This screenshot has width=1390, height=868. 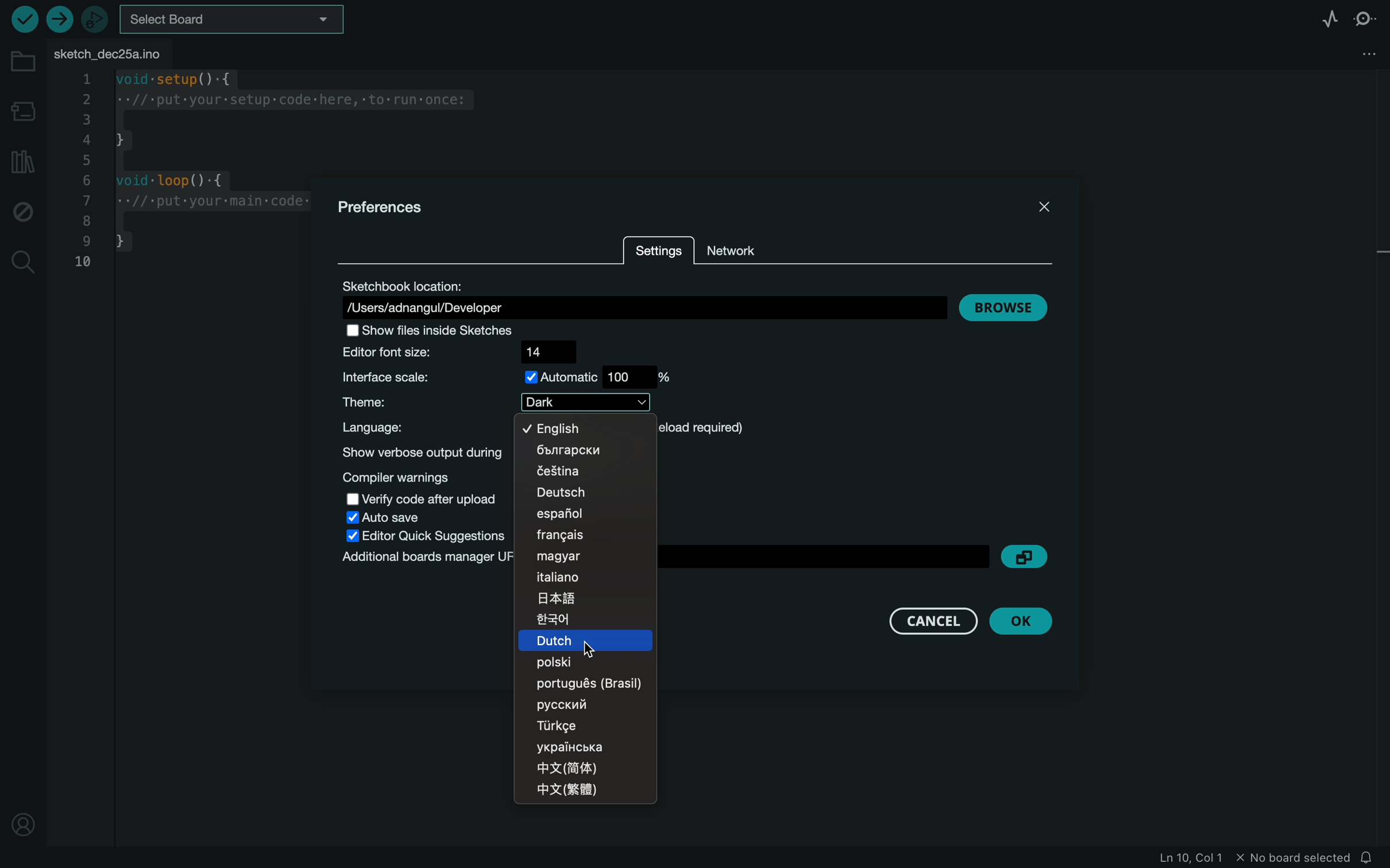 What do you see at coordinates (508, 378) in the screenshot?
I see `scale` at bounding box center [508, 378].